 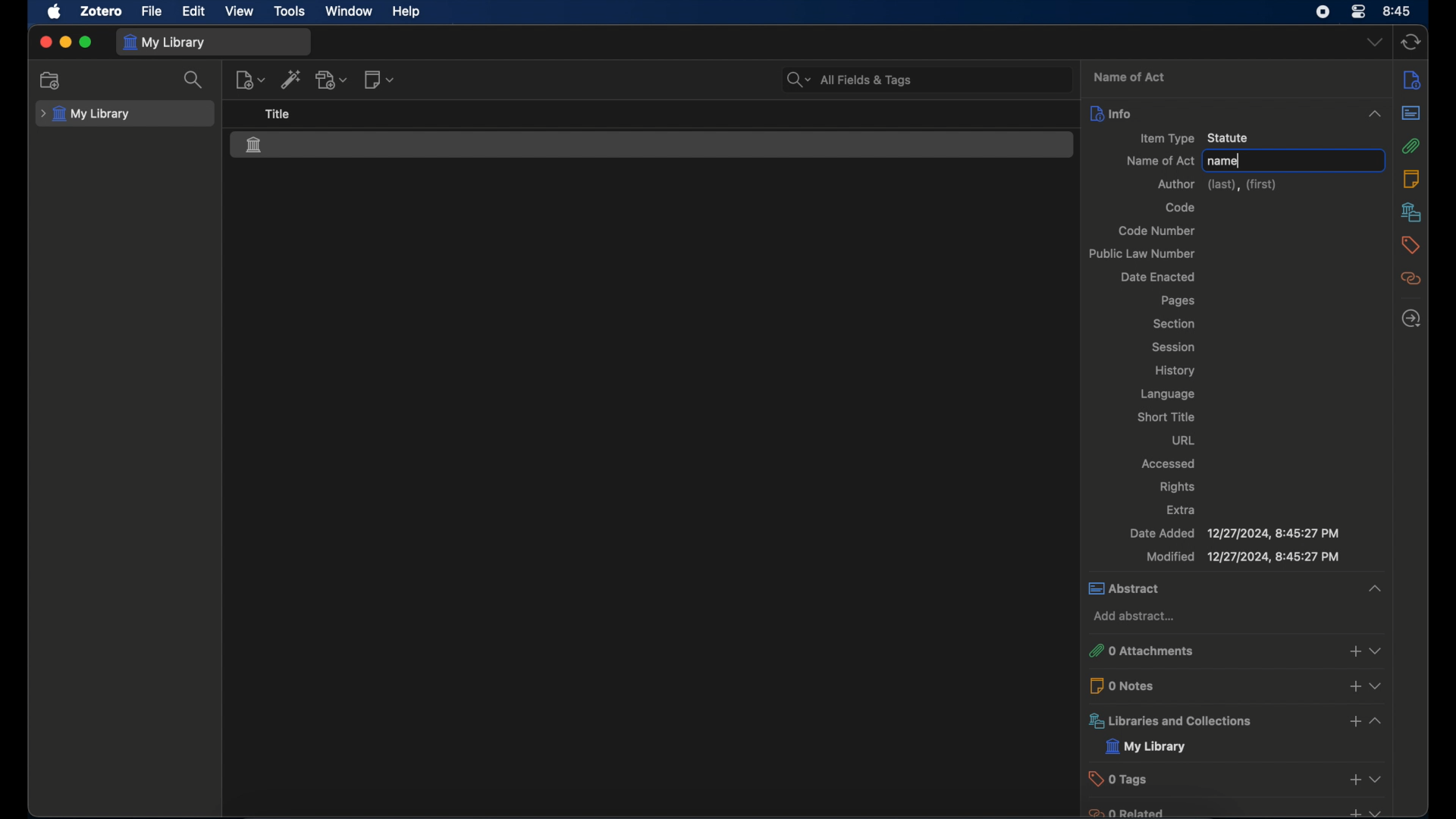 I want to click on search dropdown, so click(x=800, y=79).